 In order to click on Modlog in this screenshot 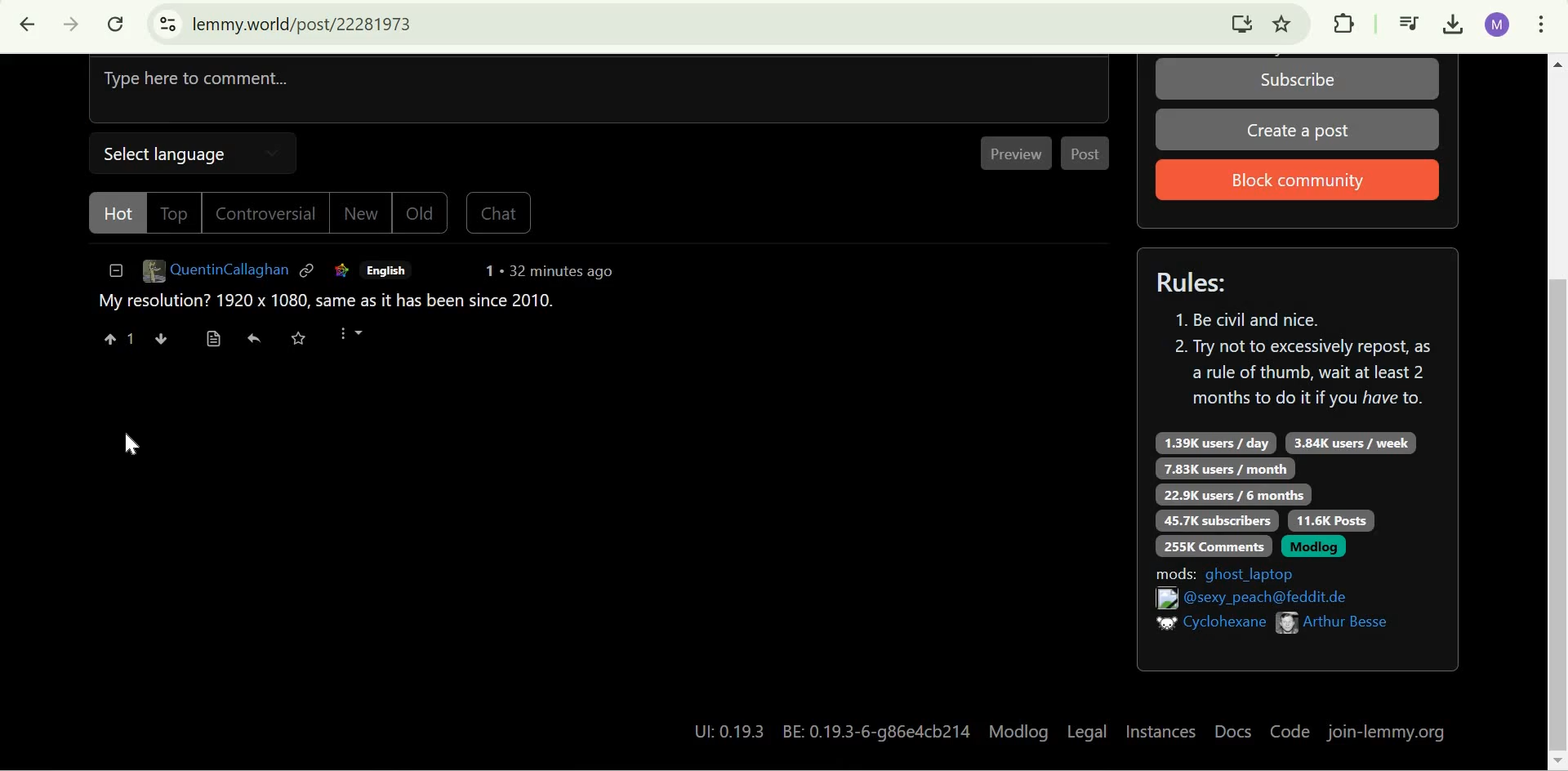, I will do `click(1019, 730)`.